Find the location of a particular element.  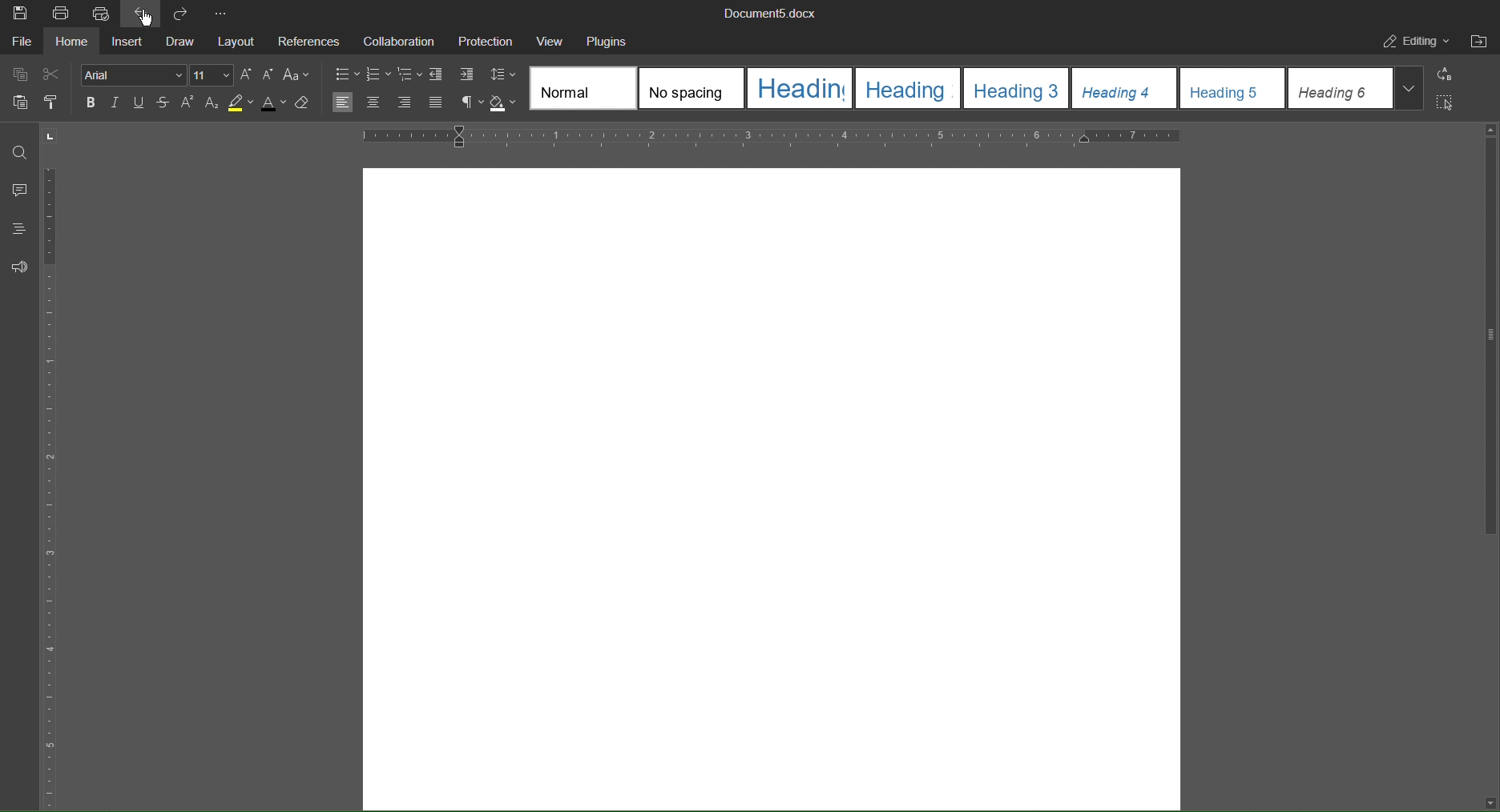

Font is located at coordinates (134, 74).